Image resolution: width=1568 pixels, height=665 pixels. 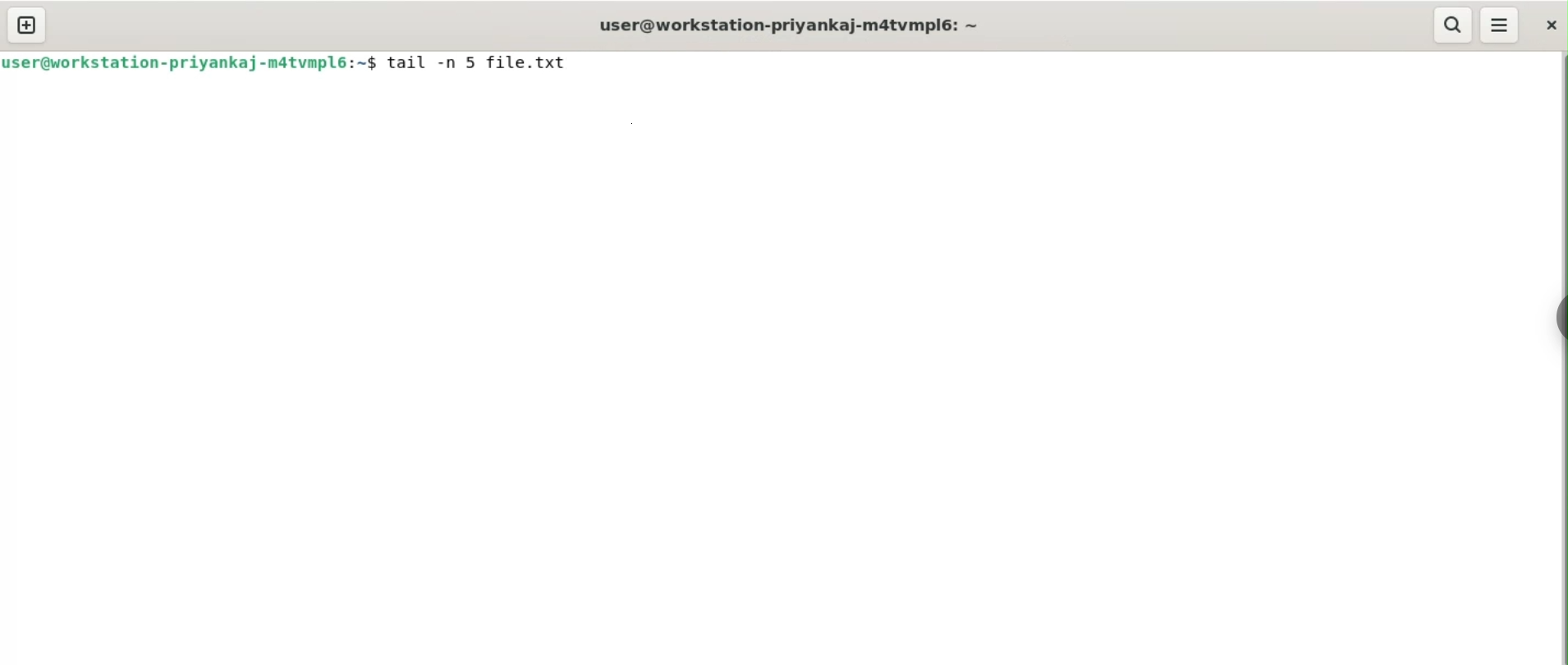 What do you see at coordinates (792, 23) in the screenshot?
I see `user@workstation-priyankaj-m4tvmpl6: ~` at bounding box center [792, 23].